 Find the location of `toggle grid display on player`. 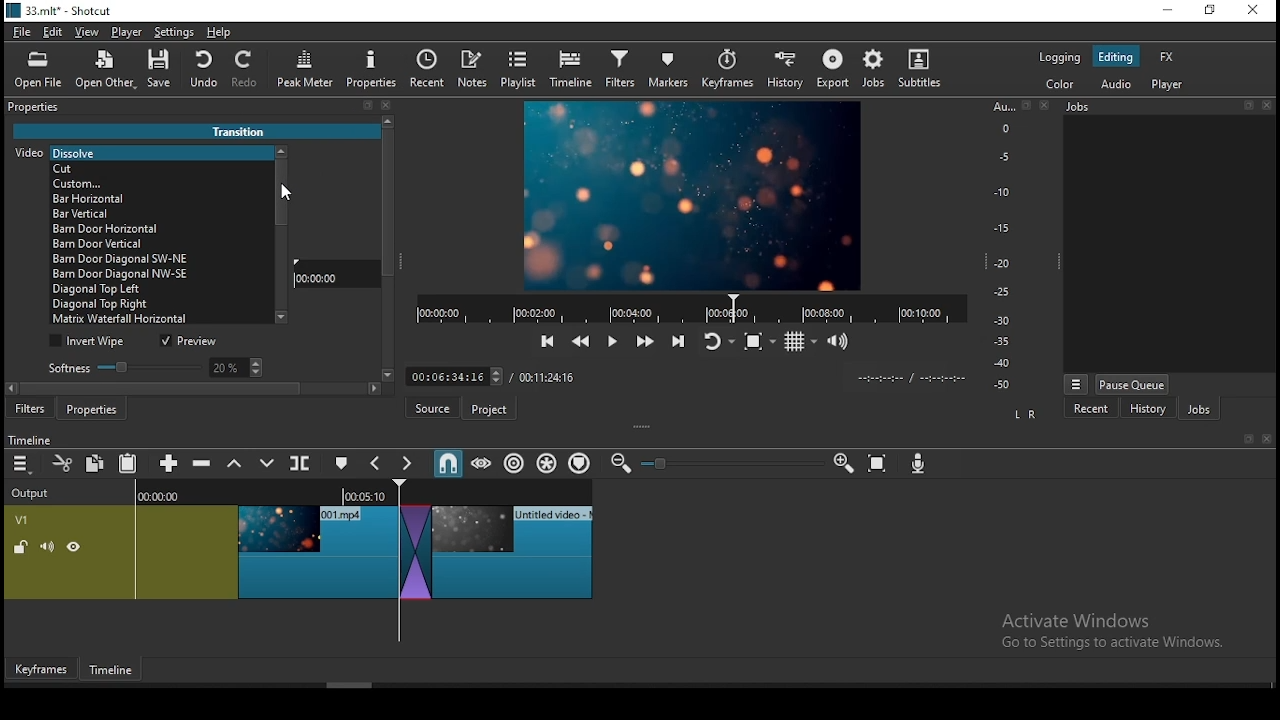

toggle grid display on player is located at coordinates (803, 339).